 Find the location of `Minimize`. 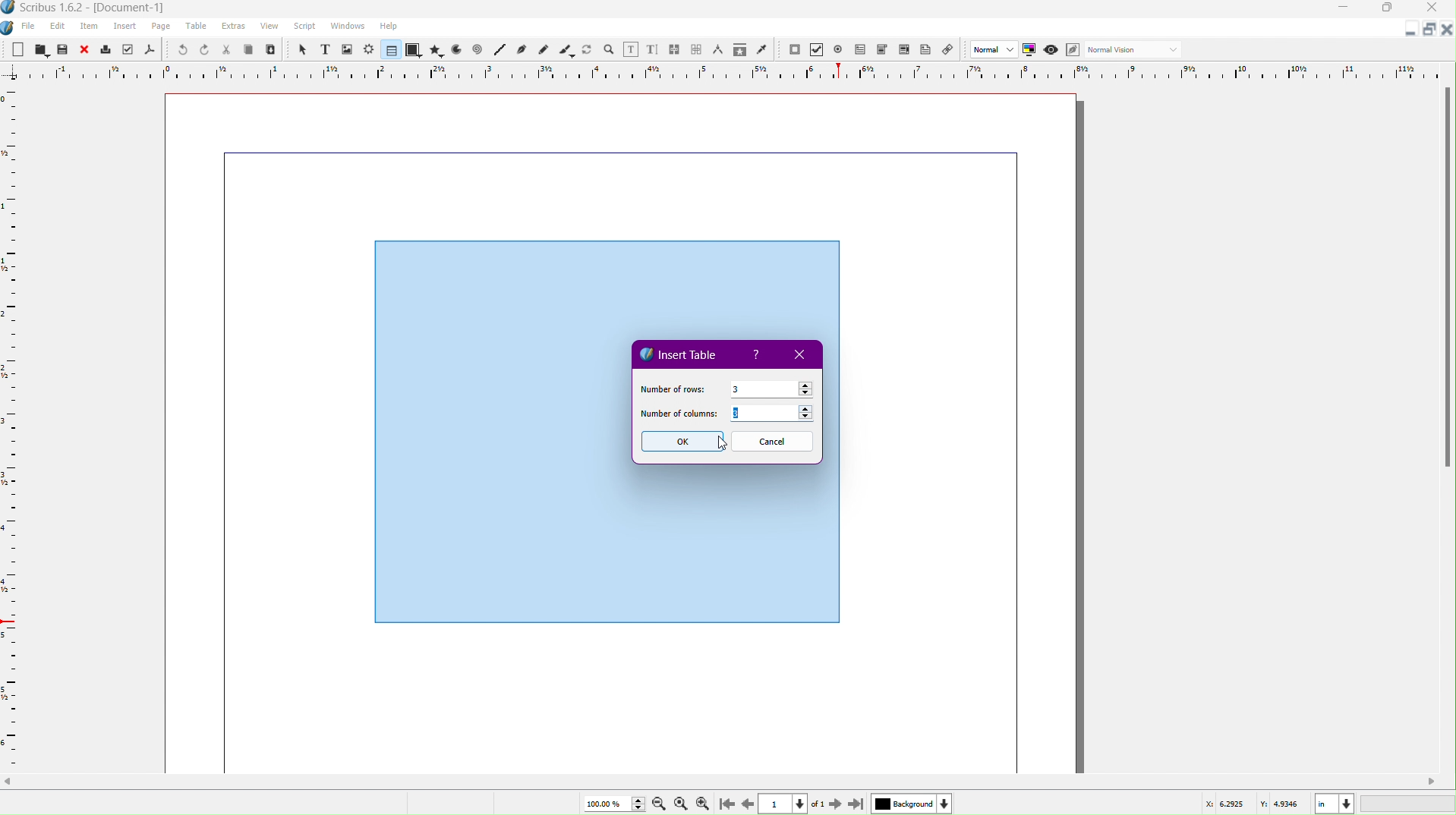

Minimize is located at coordinates (1344, 9).